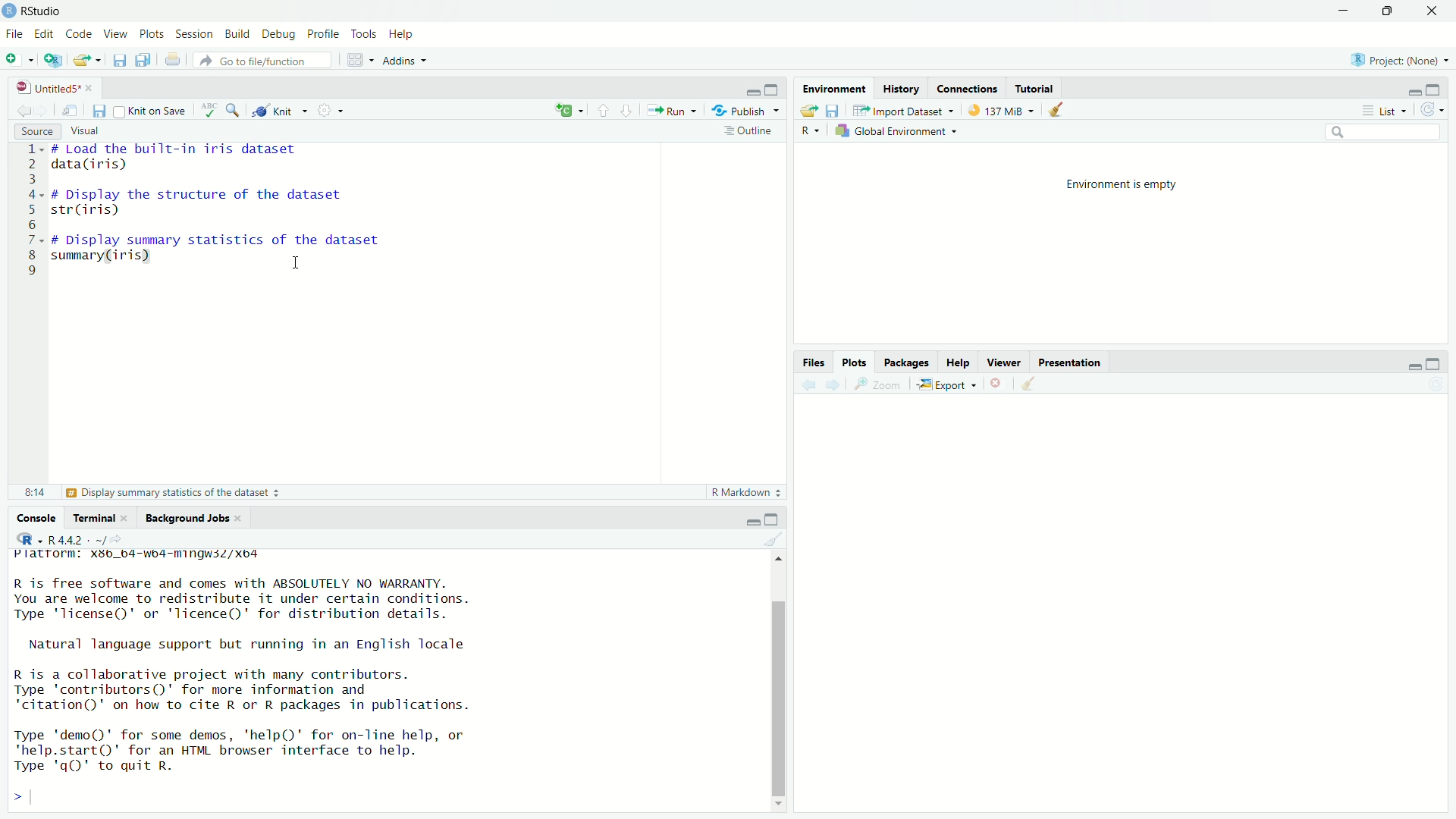 The width and height of the screenshot is (1456, 819). What do you see at coordinates (570, 108) in the screenshot?
I see `New Command` at bounding box center [570, 108].